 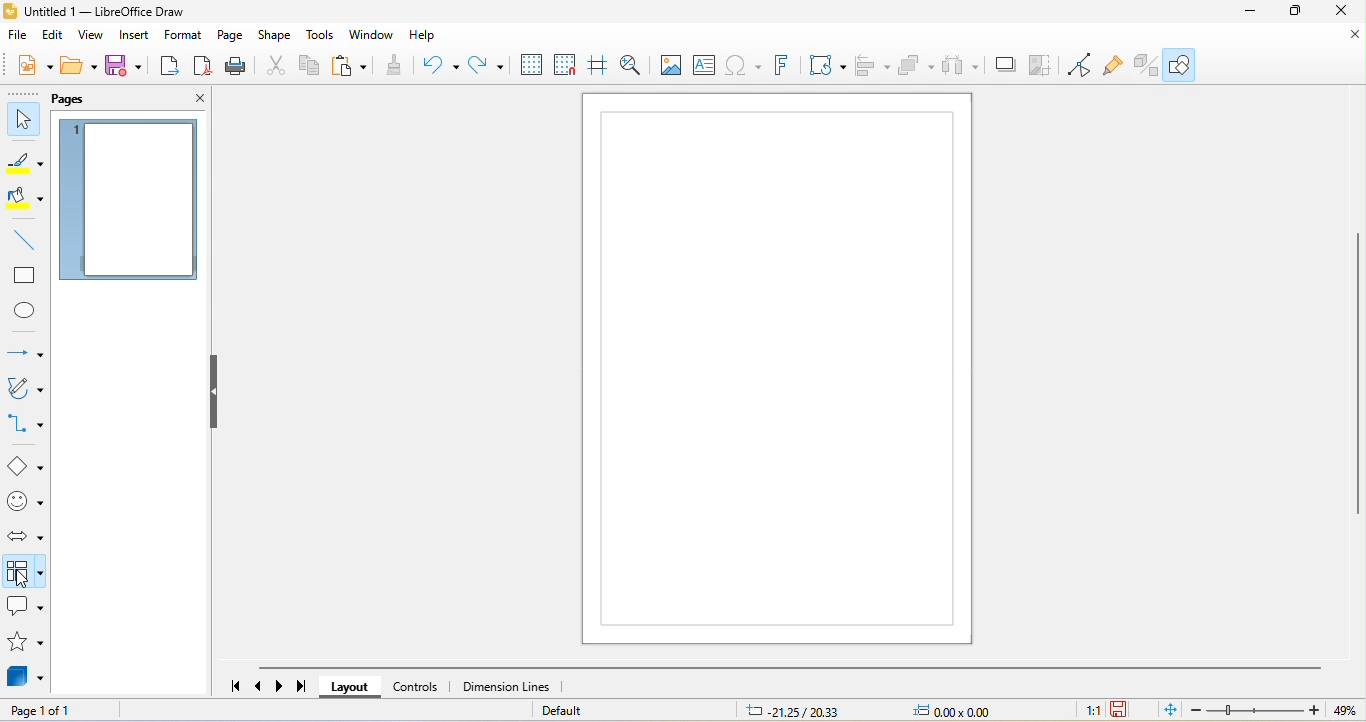 I want to click on Zoom in , so click(x=1316, y=711).